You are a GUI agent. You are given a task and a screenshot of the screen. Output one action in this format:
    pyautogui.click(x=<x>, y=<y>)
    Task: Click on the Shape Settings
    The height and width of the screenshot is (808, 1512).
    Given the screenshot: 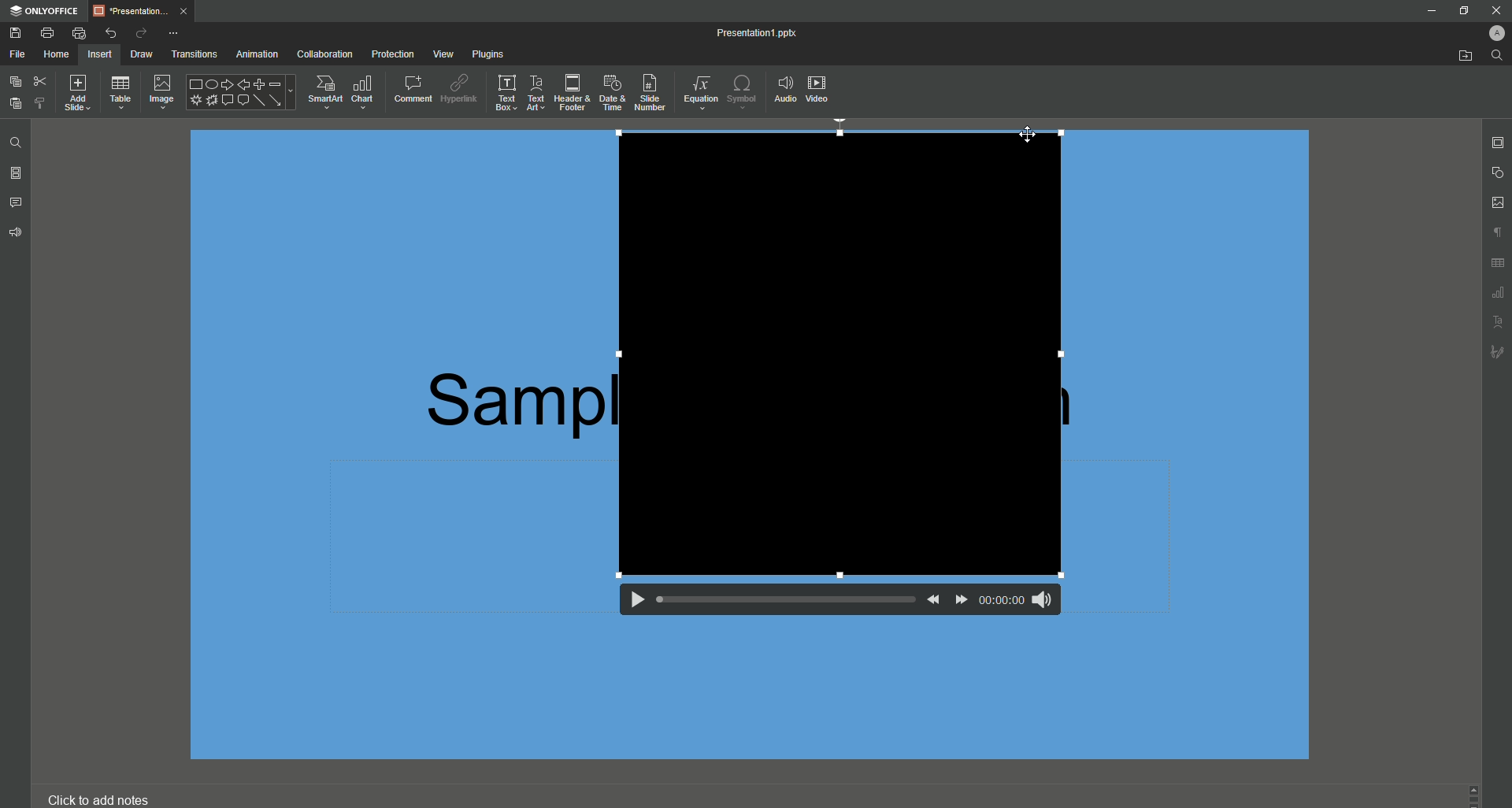 What is the action you would take?
    pyautogui.click(x=1499, y=173)
    